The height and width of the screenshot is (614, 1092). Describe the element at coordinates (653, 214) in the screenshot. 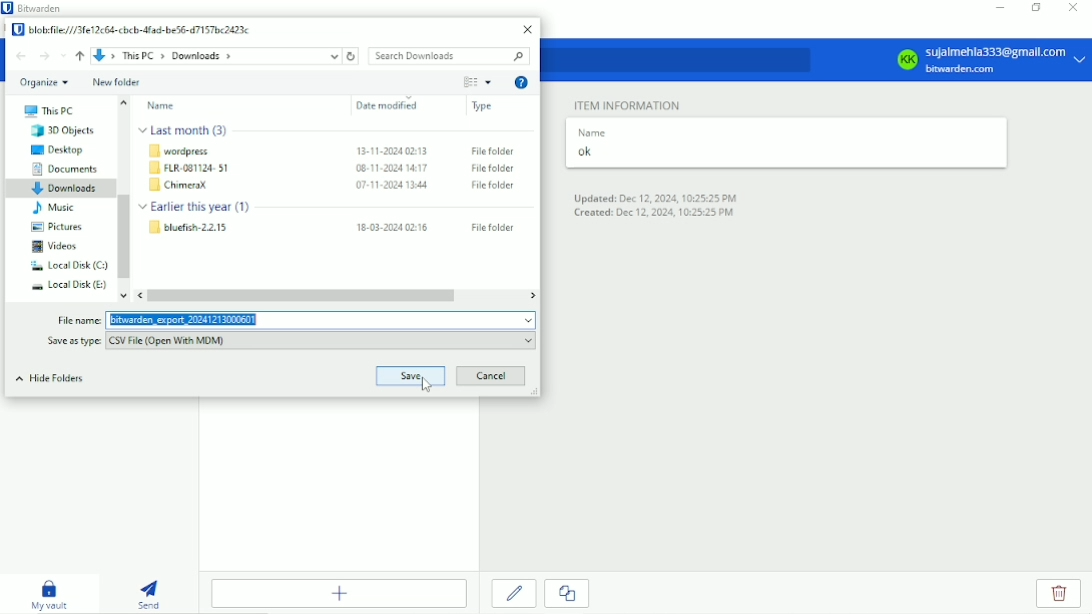

I see `Created: Dec 12, 2024, 10:25:25 PM` at that location.